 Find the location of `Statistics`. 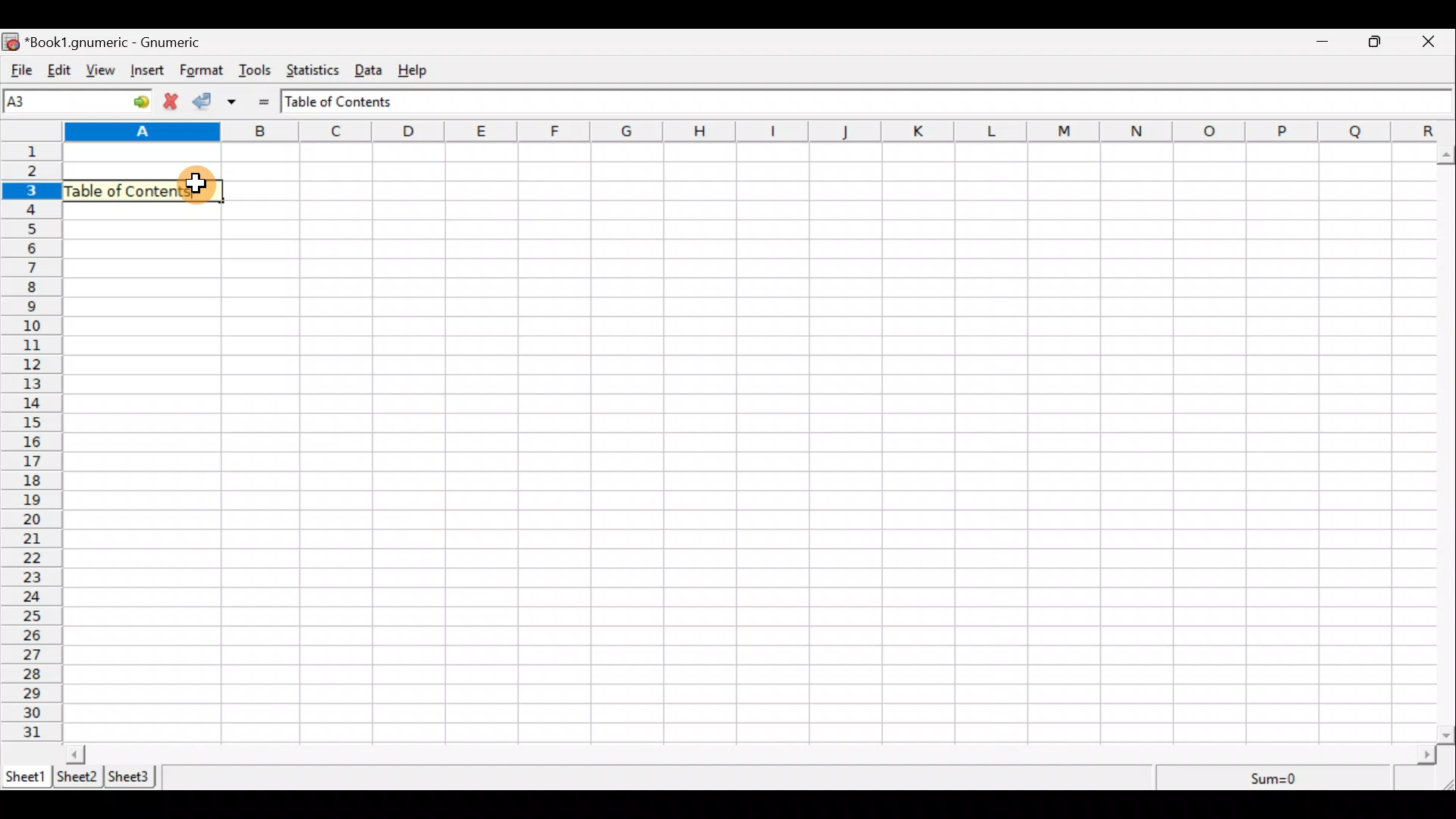

Statistics is located at coordinates (315, 72).